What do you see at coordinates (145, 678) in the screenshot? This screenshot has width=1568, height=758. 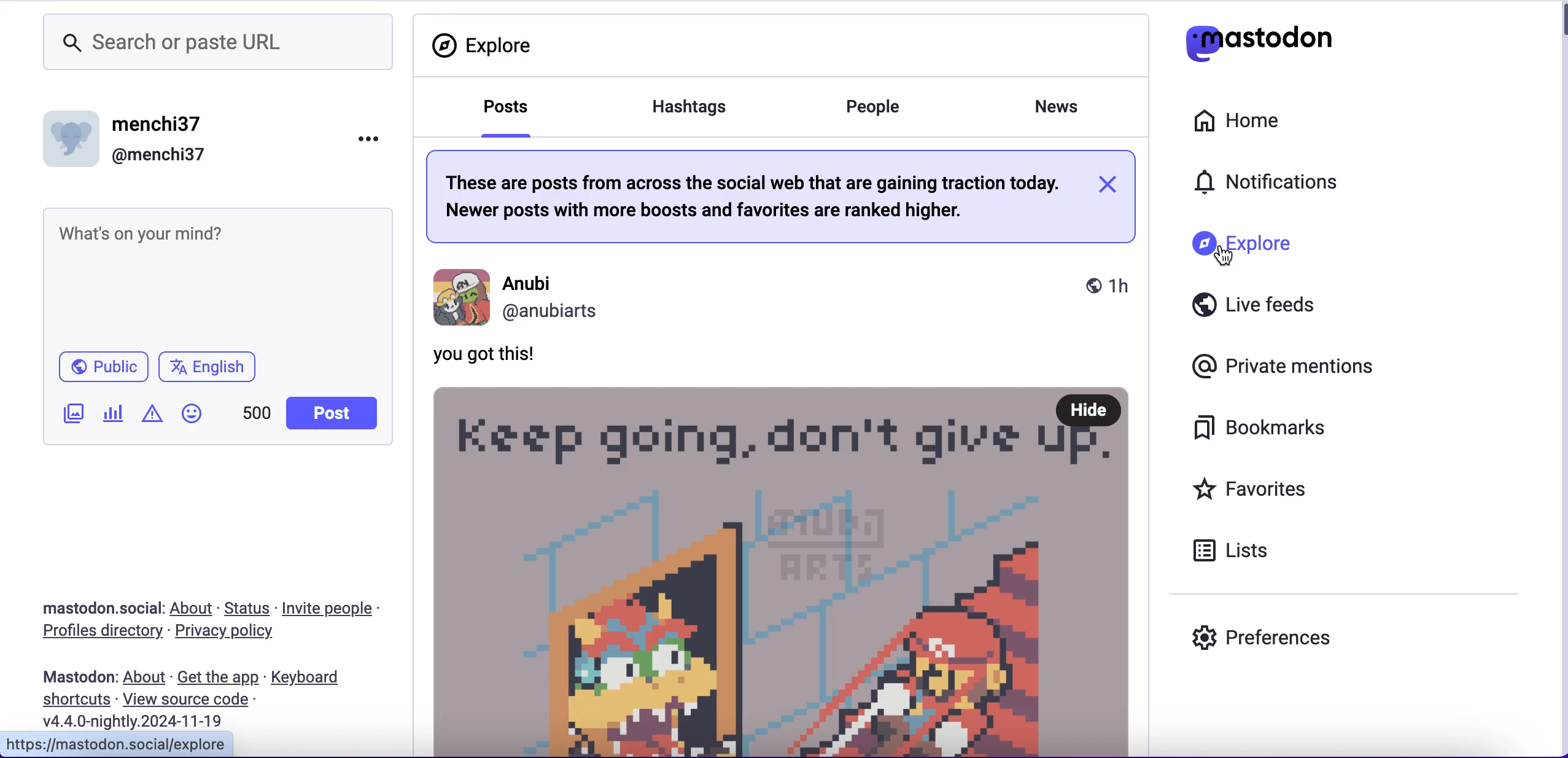 I see `about` at bounding box center [145, 678].